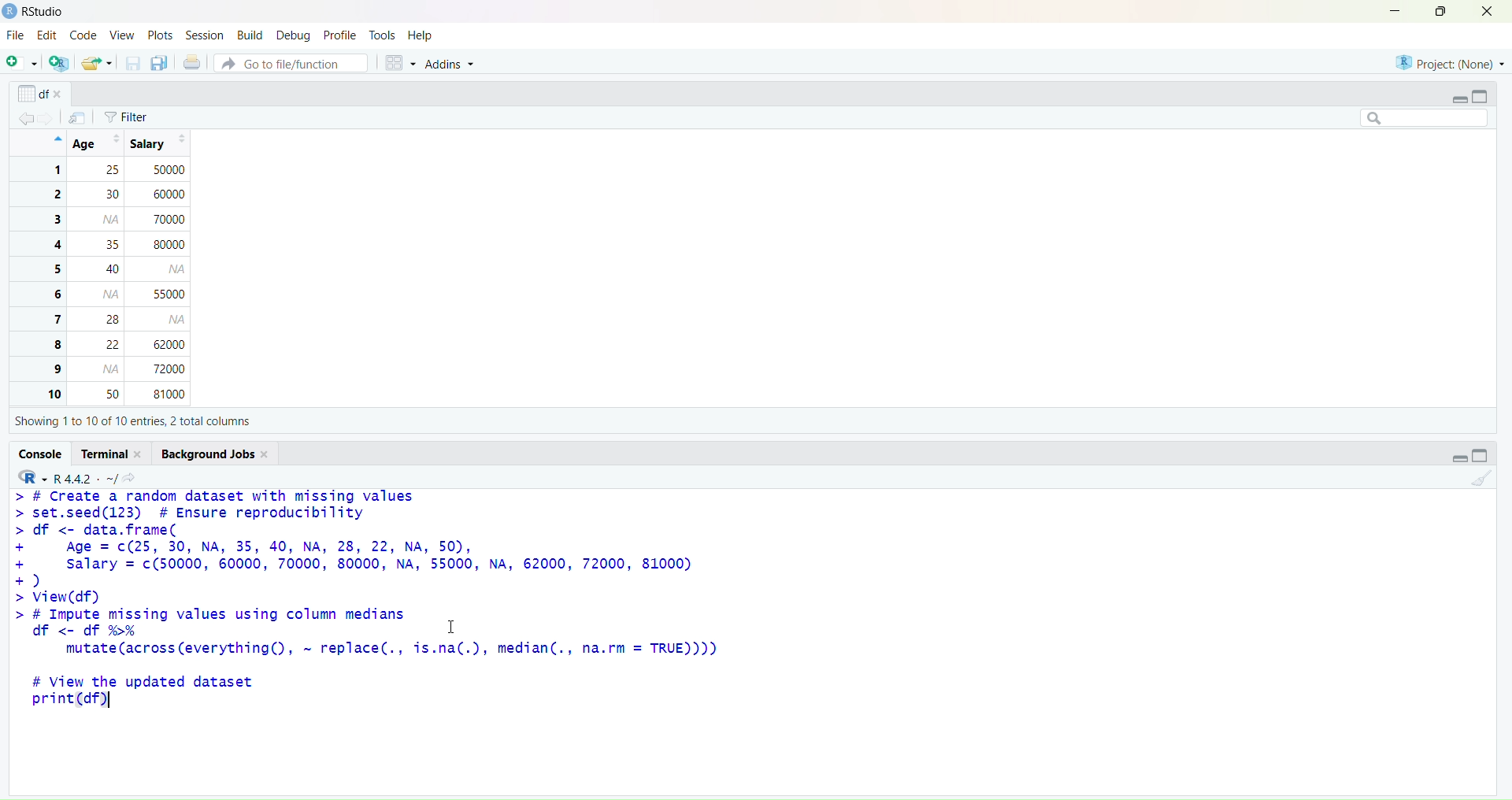  What do you see at coordinates (339, 35) in the screenshot?
I see `profile` at bounding box center [339, 35].